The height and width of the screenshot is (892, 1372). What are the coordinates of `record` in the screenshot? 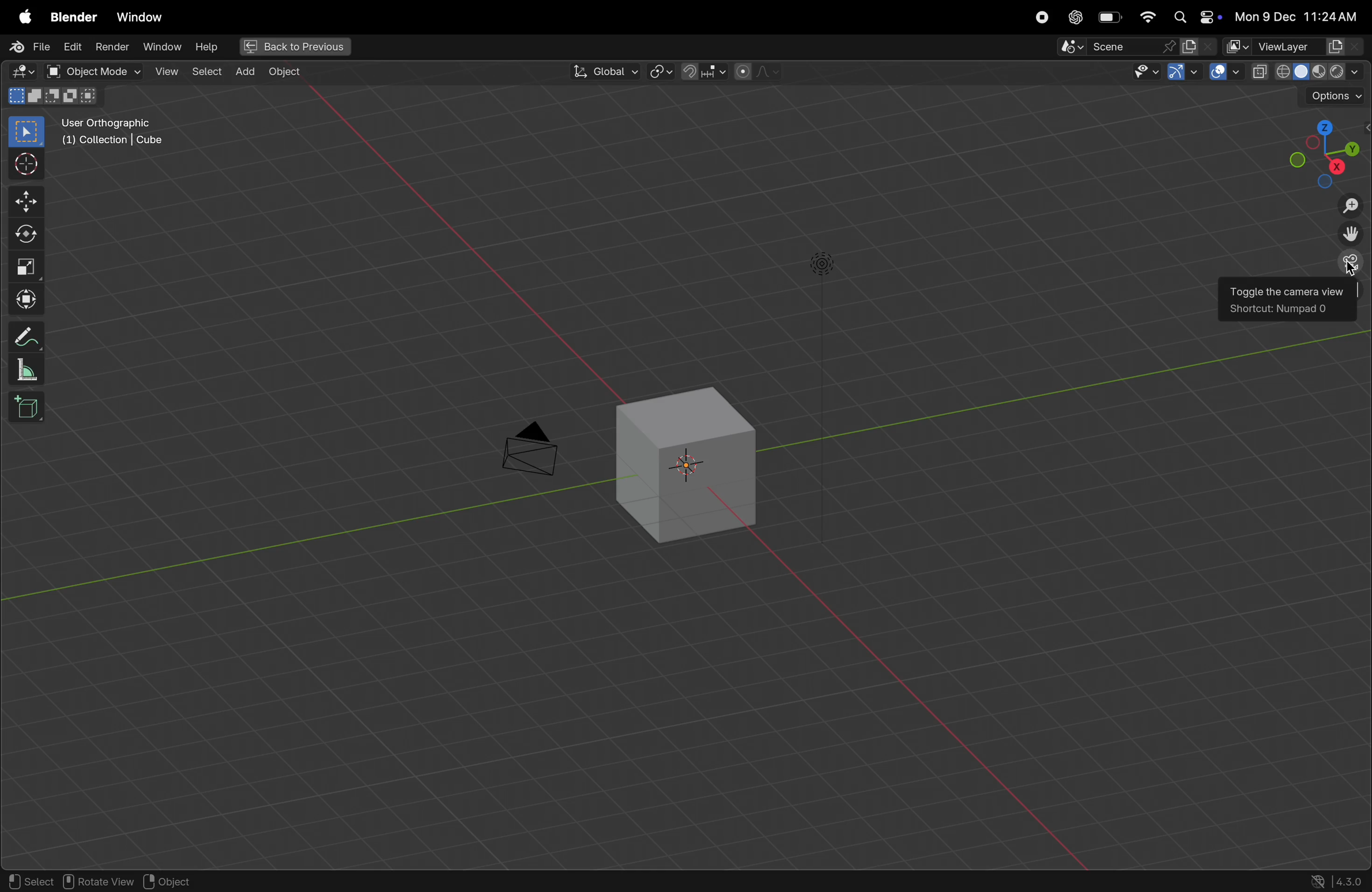 It's located at (1038, 17).